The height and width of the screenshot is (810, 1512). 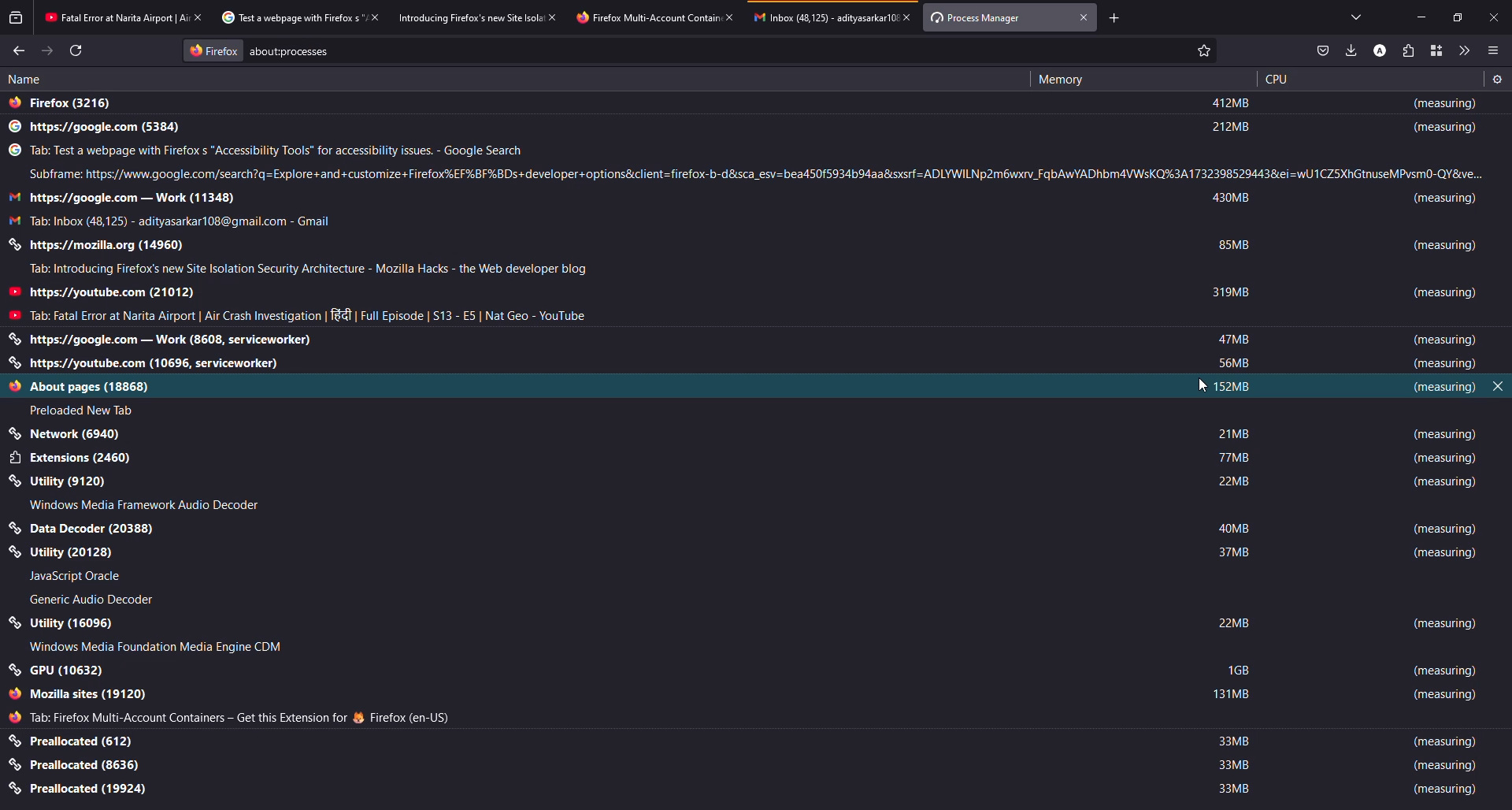 I want to click on https://youtube.com (10696, serviceworker), so click(x=146, y=362).